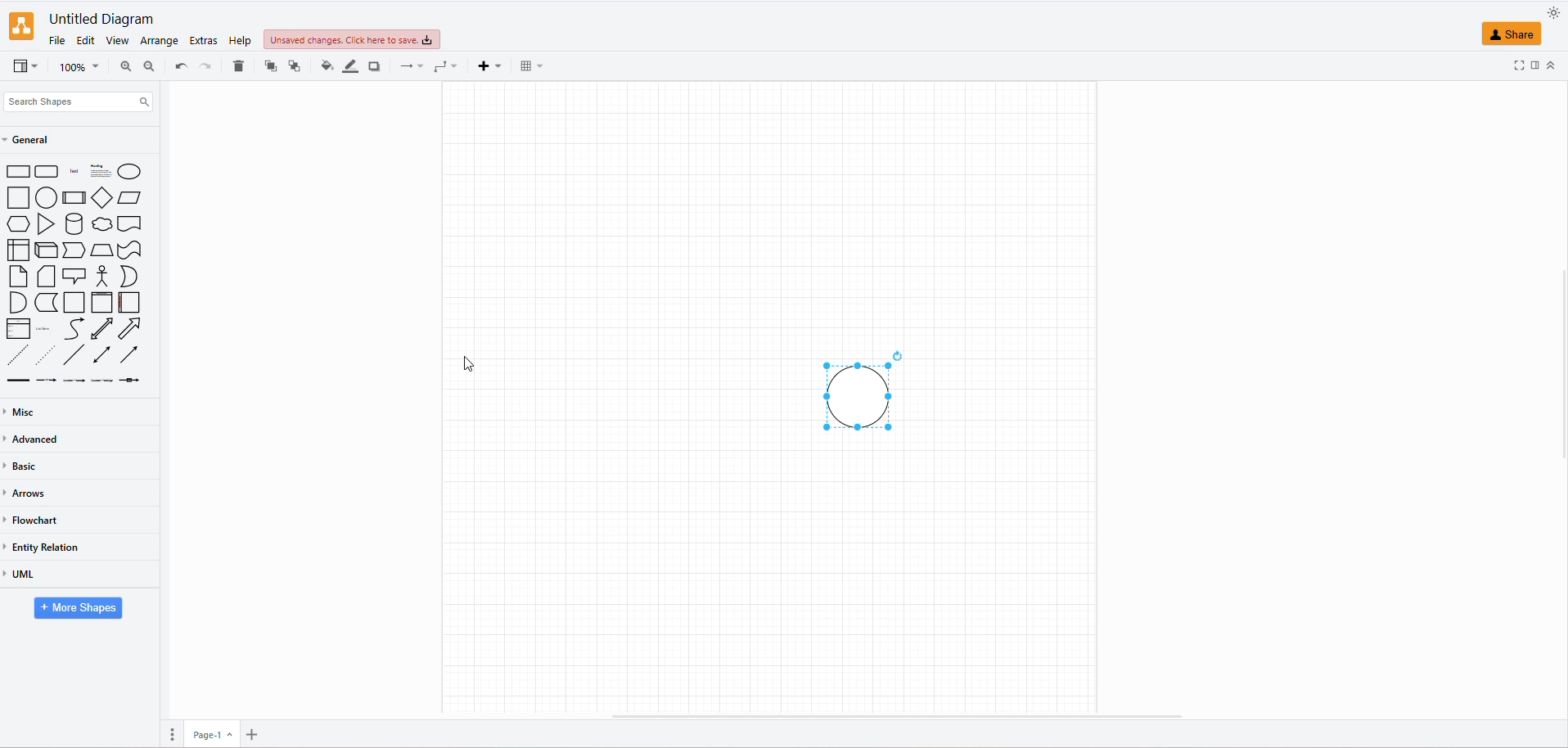 The image size is (1568, 748). I want to click on ARRANGE, so click(158, 43).